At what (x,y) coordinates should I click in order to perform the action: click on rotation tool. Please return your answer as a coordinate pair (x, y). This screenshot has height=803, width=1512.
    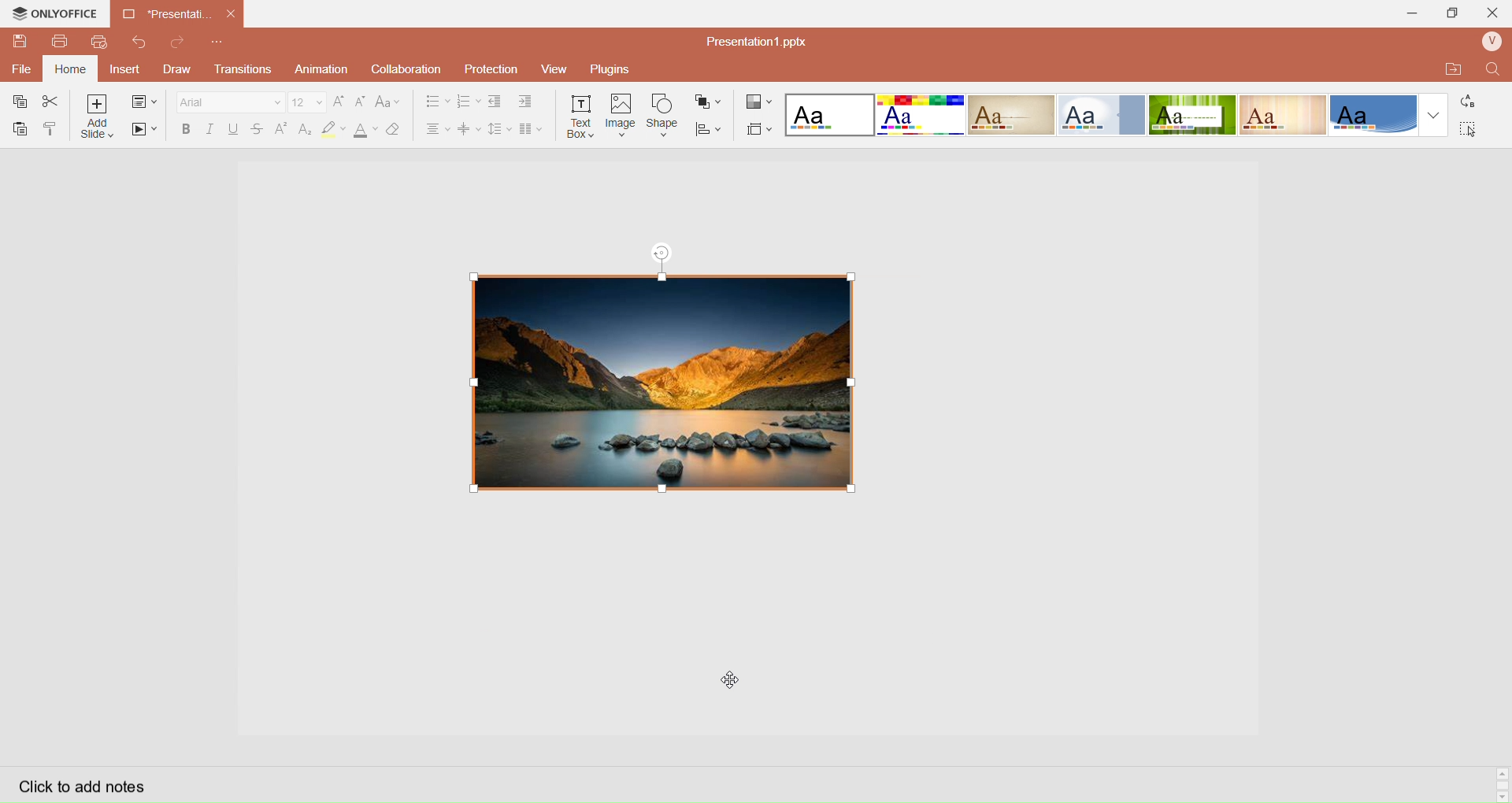
    Looking at the image, I should click on (661, 250).